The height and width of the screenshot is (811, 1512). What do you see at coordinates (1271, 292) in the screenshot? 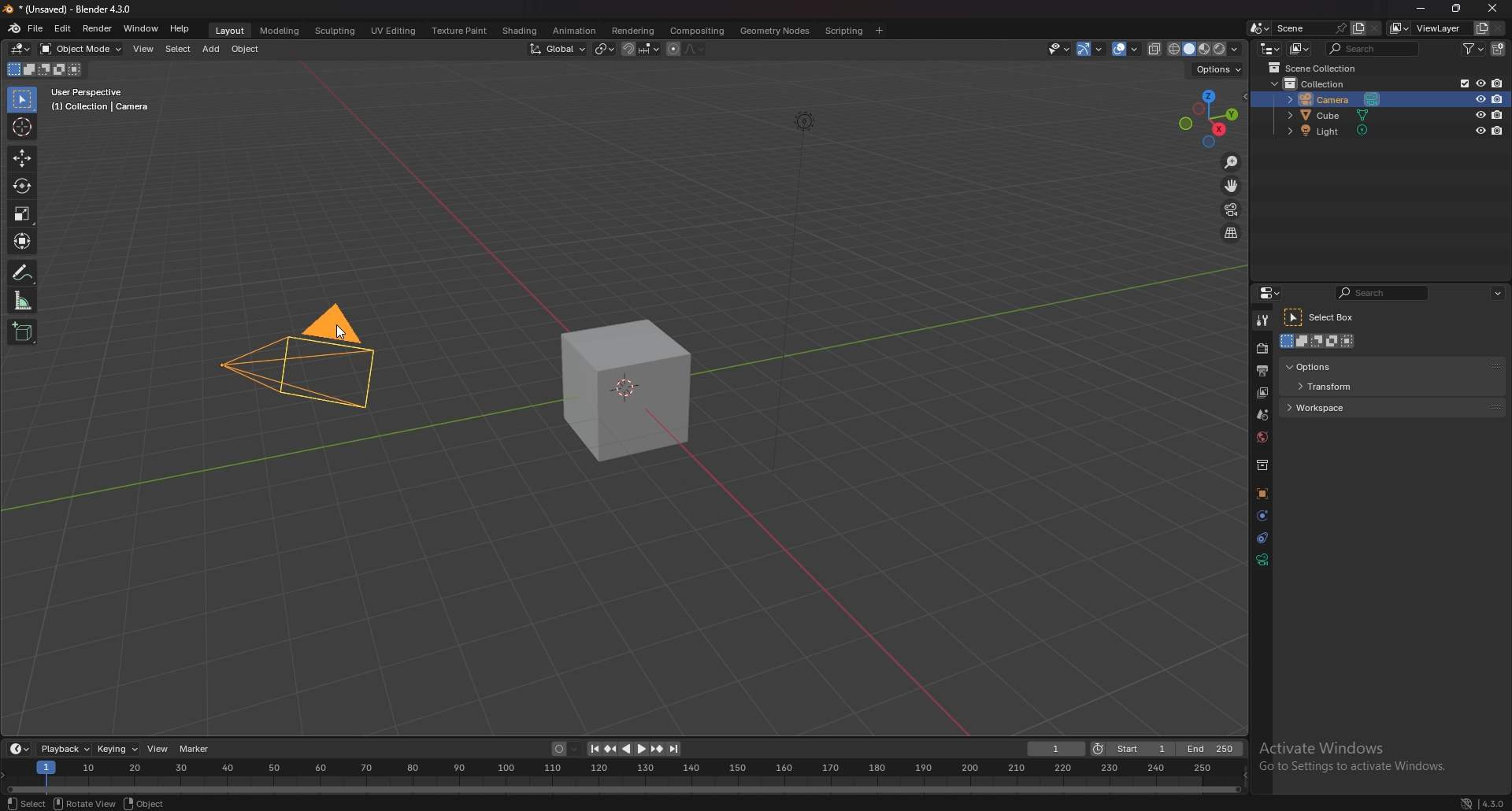
I see `editor type` at bounding box center [1271, 292].